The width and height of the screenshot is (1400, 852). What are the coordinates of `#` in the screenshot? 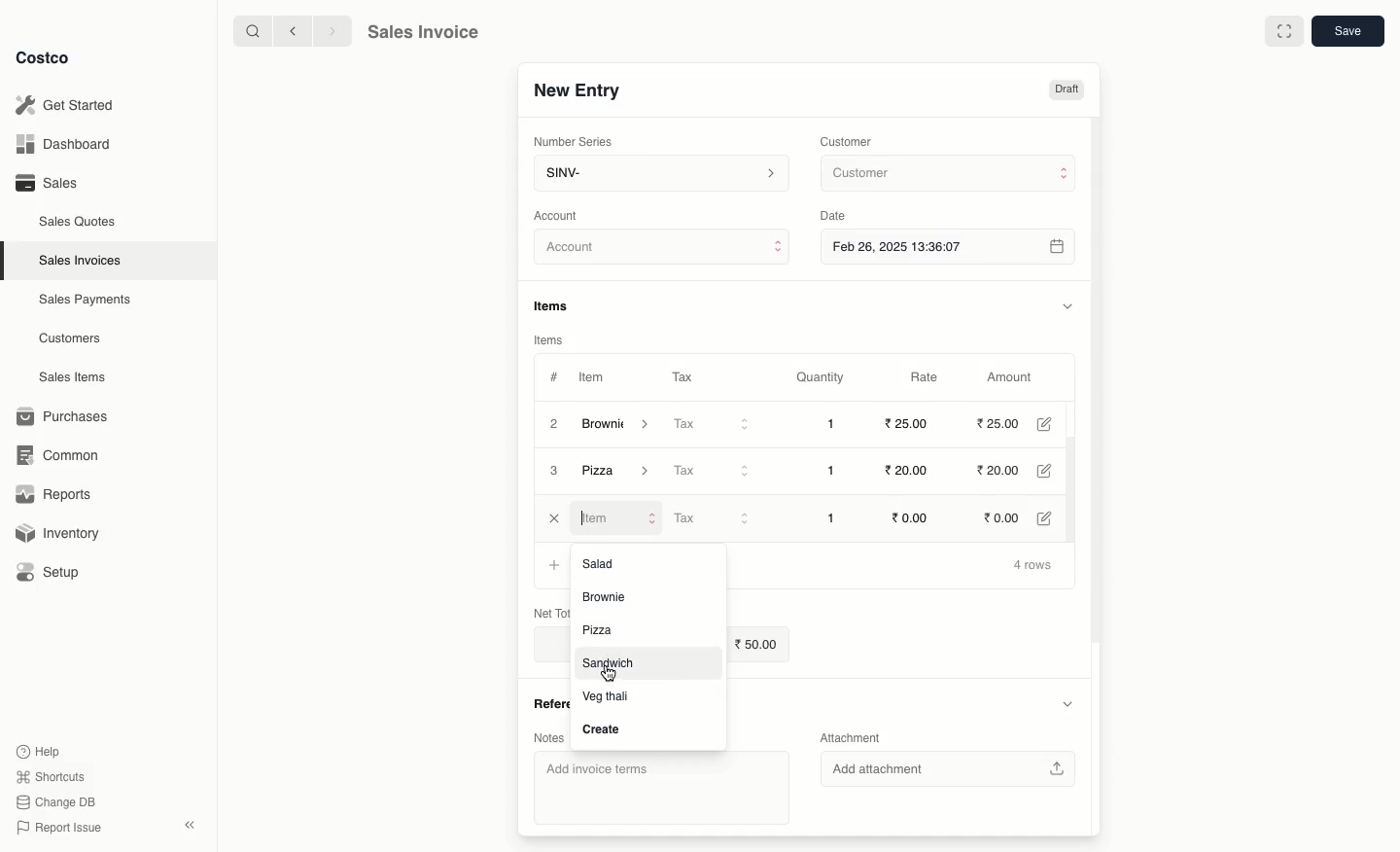 It's located at (554, 375).